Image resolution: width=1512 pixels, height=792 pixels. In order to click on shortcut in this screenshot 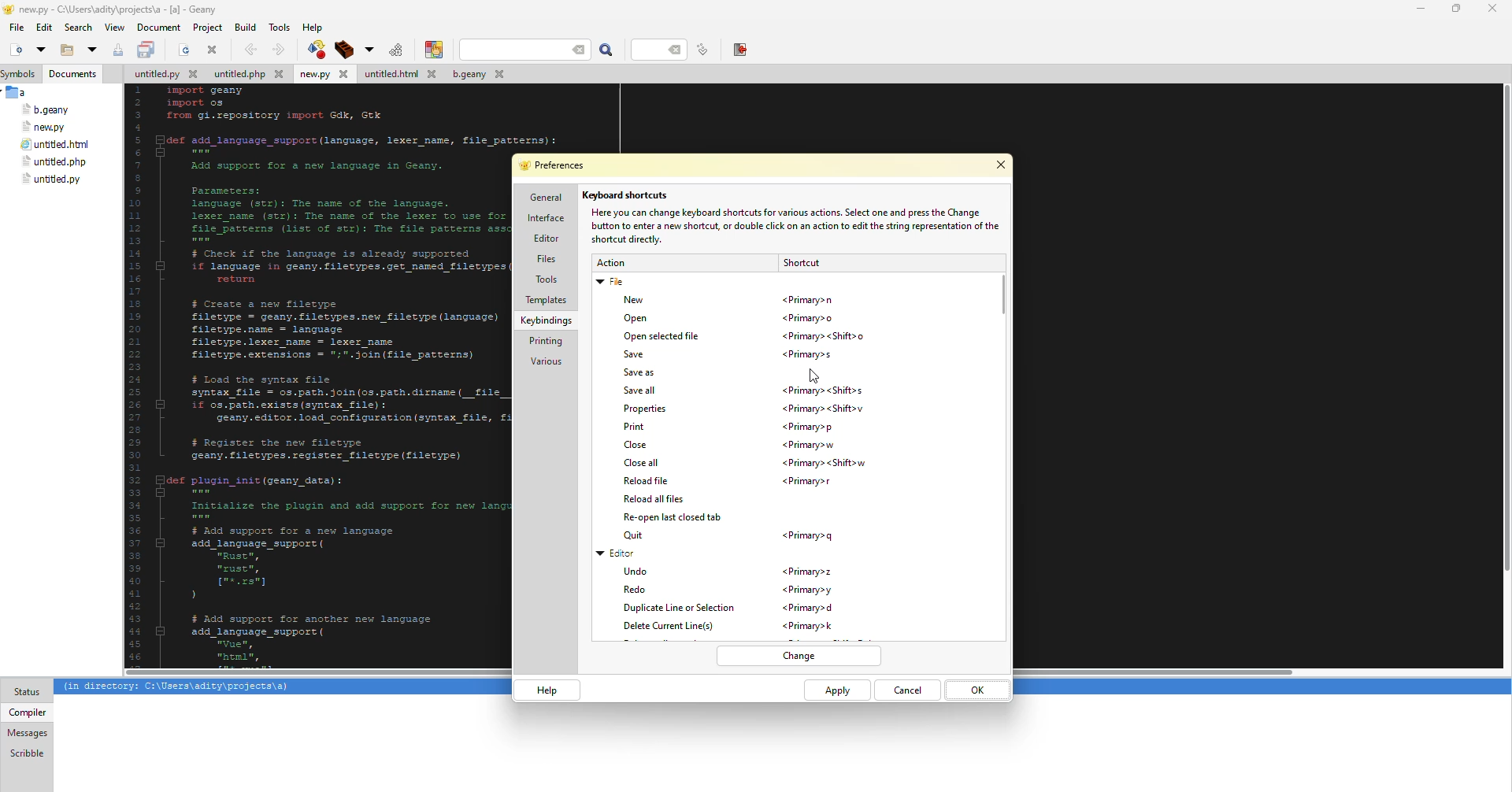, I will do `click(821, 390)`.